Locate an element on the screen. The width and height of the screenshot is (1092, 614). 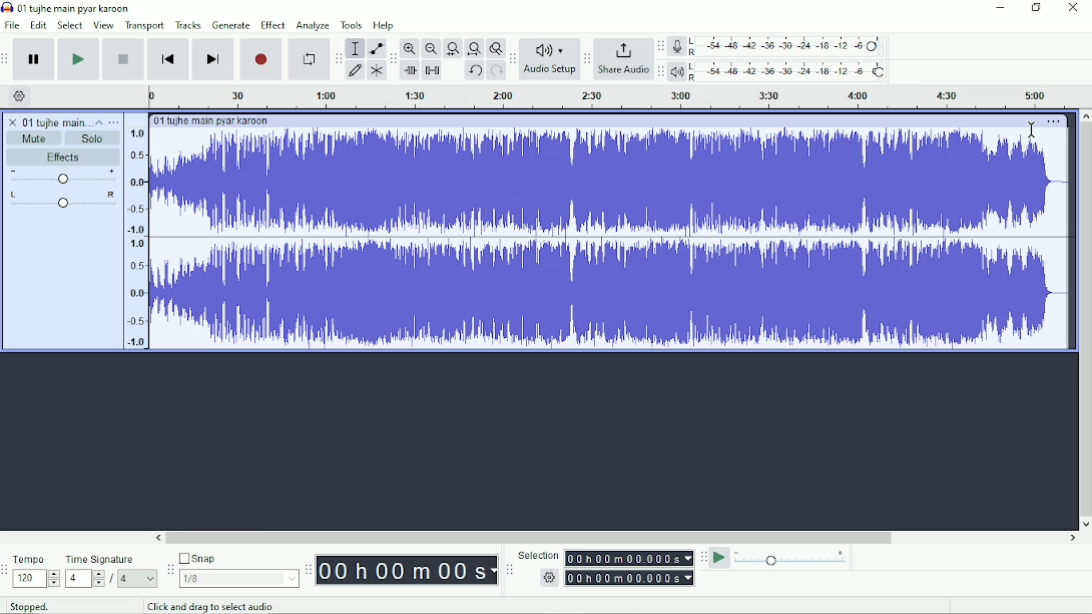
Timeline is located at coordinates (615, 96).